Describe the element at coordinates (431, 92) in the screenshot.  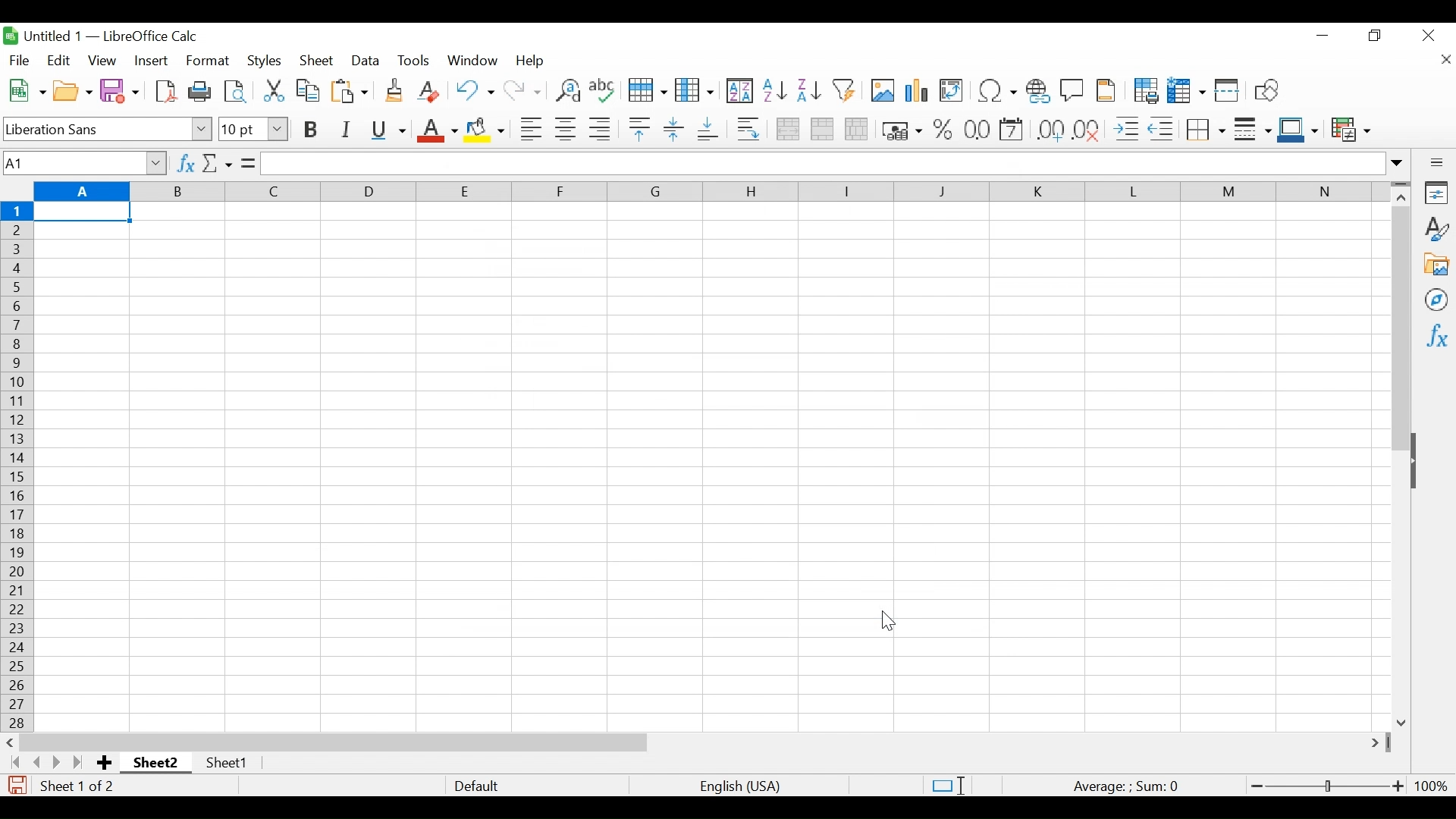
I see `Clear Direct Formatting` at that location.